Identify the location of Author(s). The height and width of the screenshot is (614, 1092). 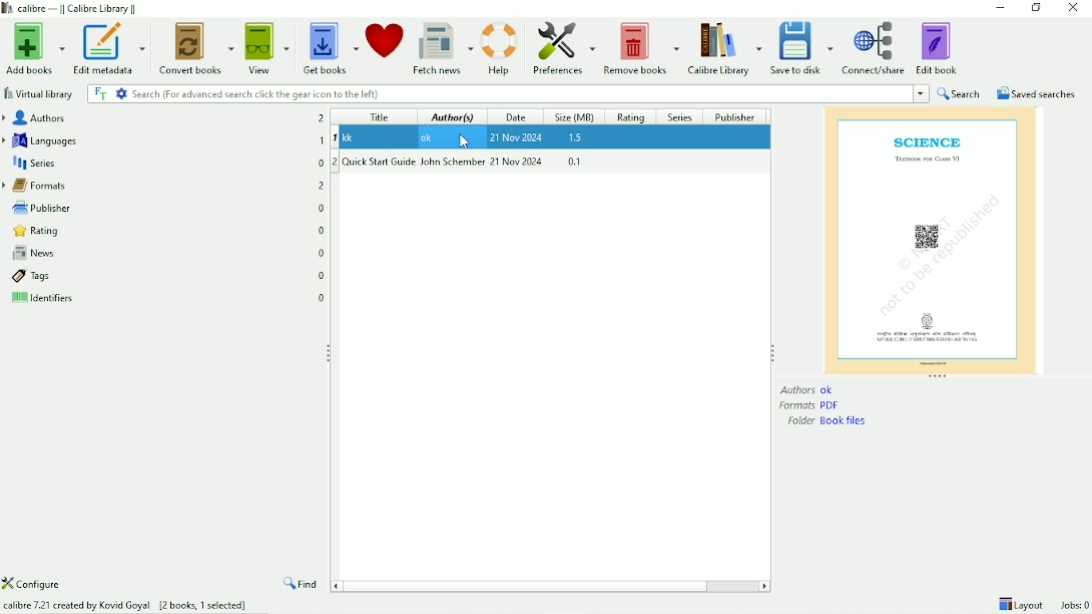
(453, 116).